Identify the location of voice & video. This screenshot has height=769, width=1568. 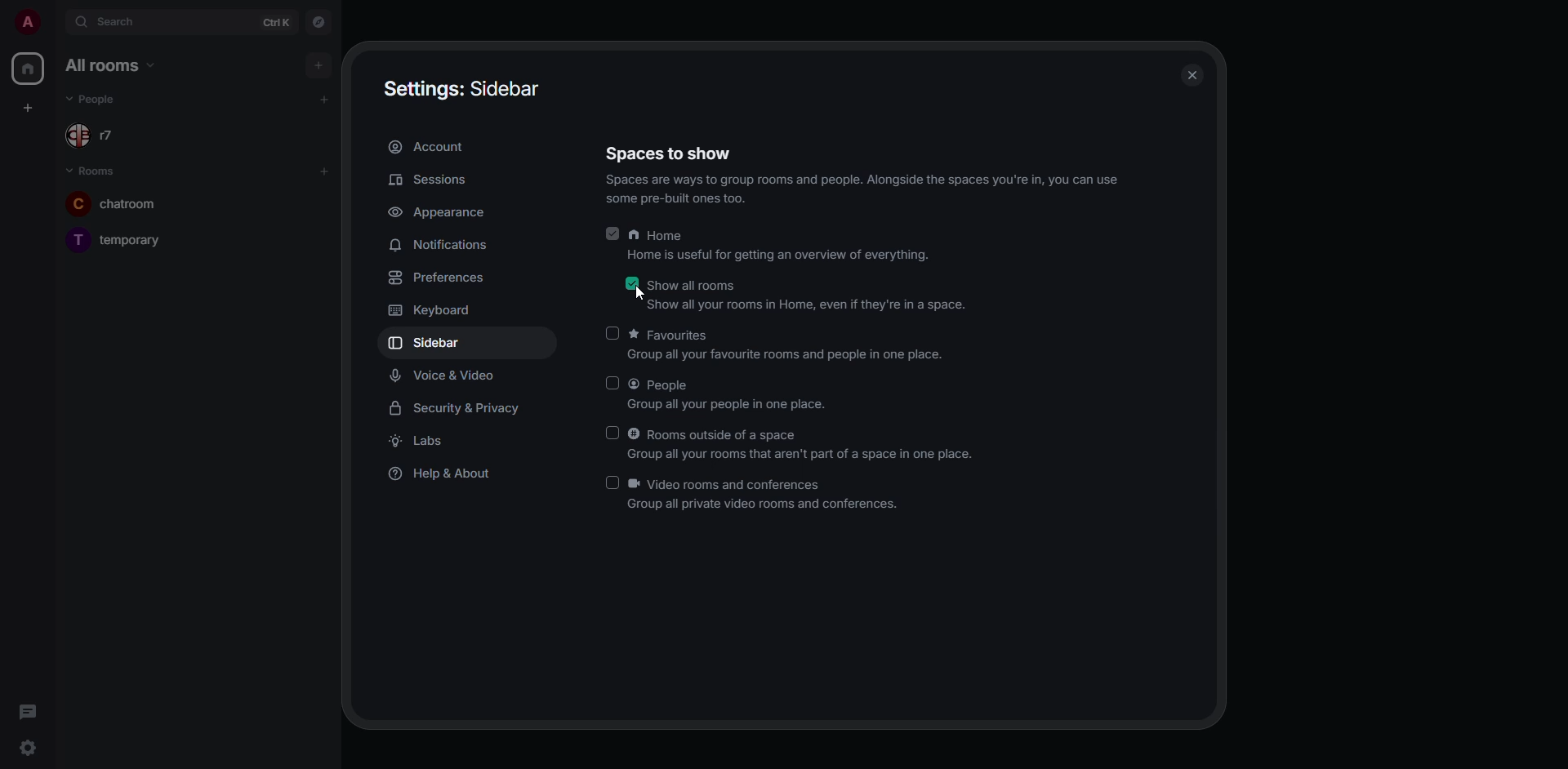
(443, 376).